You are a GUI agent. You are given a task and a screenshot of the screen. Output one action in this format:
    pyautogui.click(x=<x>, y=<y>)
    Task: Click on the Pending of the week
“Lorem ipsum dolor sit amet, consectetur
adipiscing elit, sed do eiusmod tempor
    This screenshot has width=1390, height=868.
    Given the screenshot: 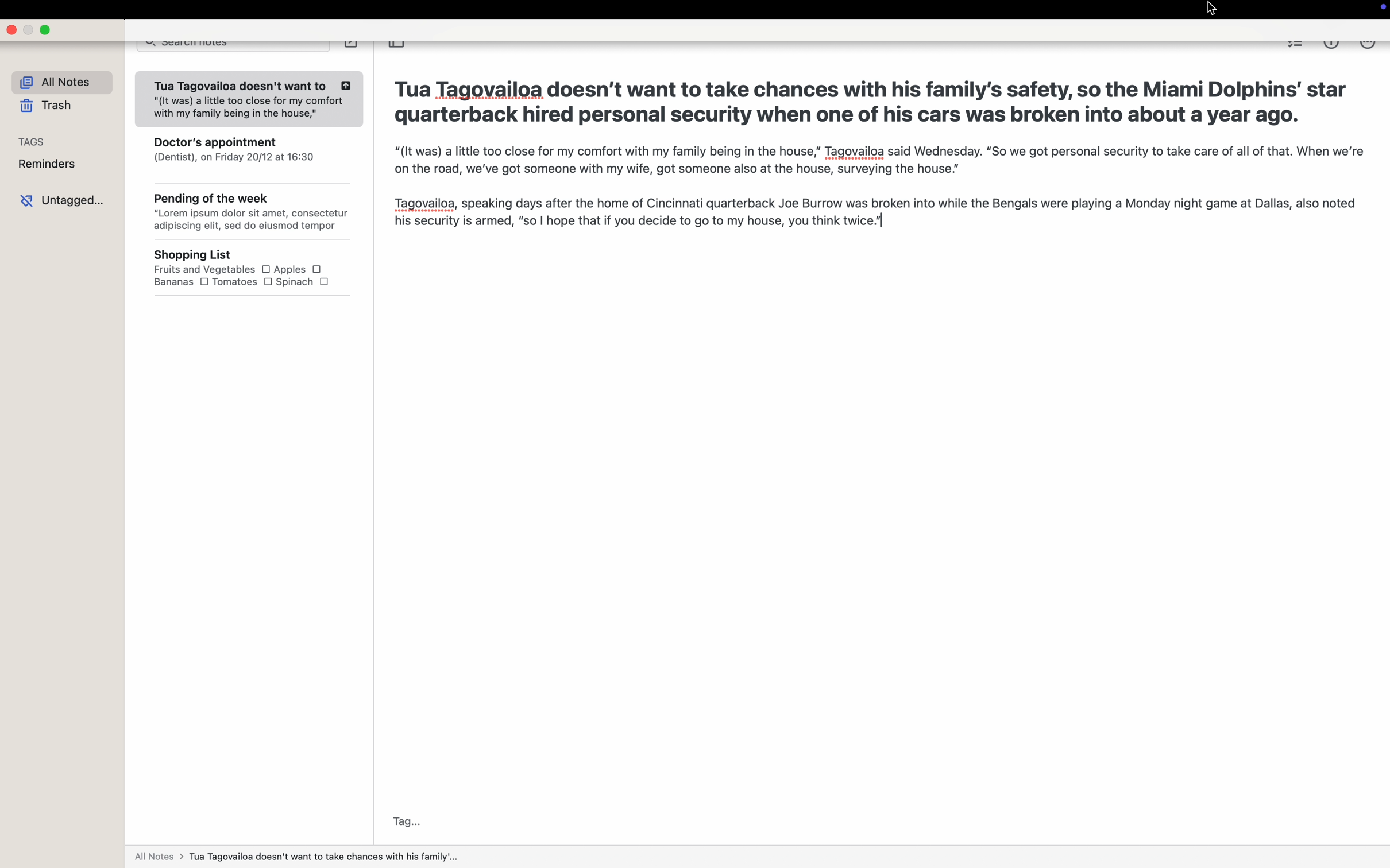 What is the action you would take?
    pyautogui.click(x=247, y=206)
    